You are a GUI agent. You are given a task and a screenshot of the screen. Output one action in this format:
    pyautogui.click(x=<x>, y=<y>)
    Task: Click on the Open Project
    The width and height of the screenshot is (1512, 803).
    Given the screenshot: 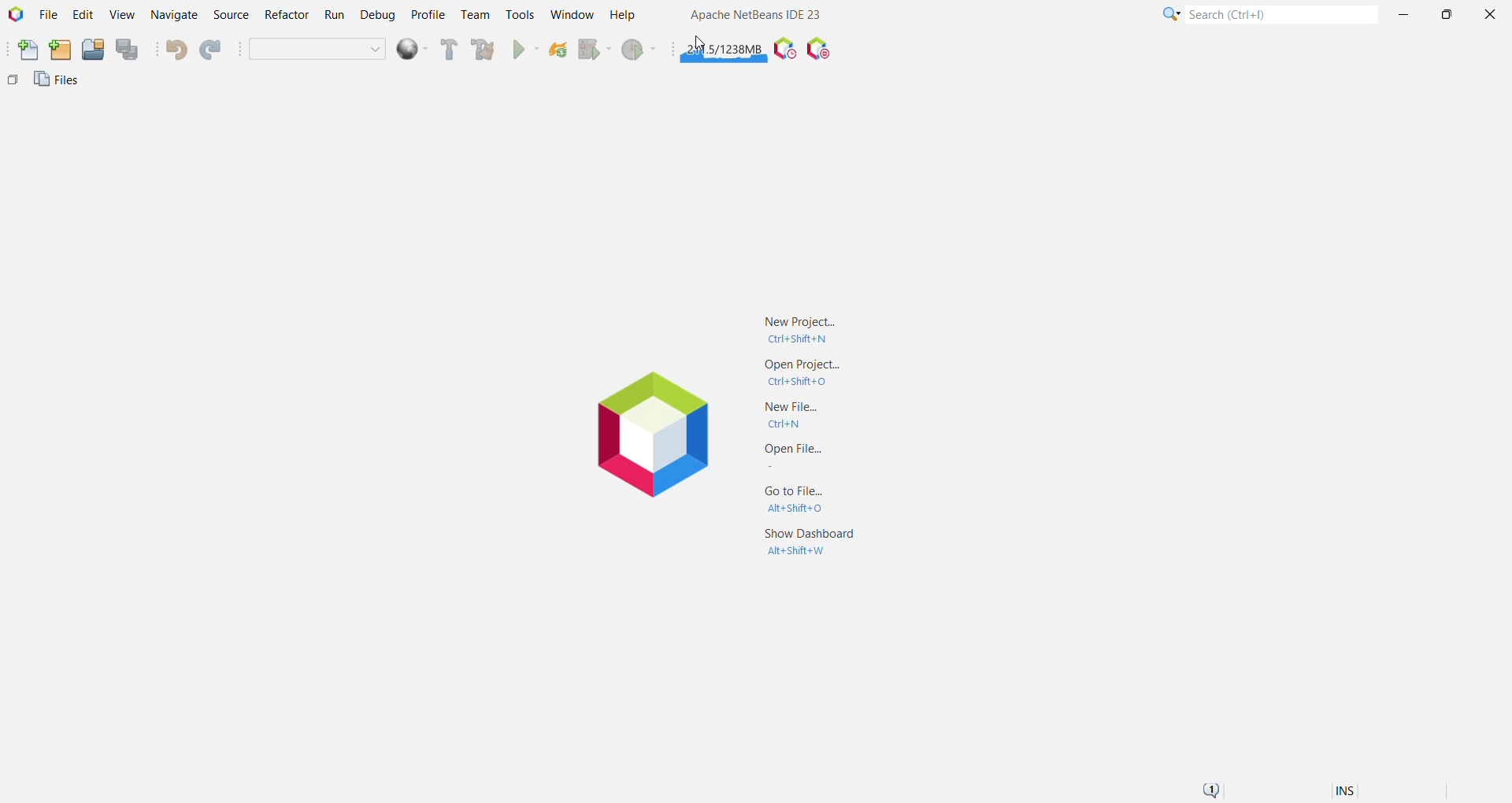 What is the action you would take?
    pyautogui.click(x=92, y=50)
    